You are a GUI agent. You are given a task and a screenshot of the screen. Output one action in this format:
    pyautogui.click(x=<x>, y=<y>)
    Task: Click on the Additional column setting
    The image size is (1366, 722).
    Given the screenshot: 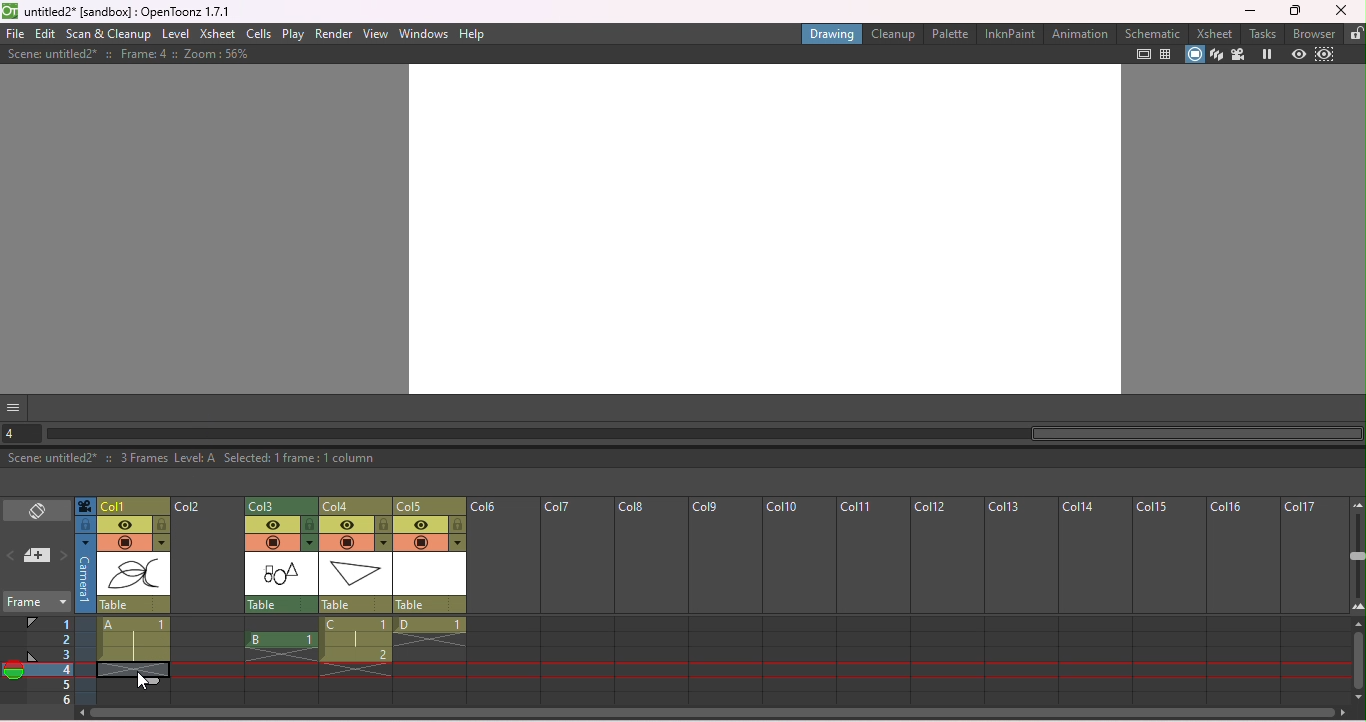 What is the action you would take?
    pyautogui.click(x=161, y=543)
    